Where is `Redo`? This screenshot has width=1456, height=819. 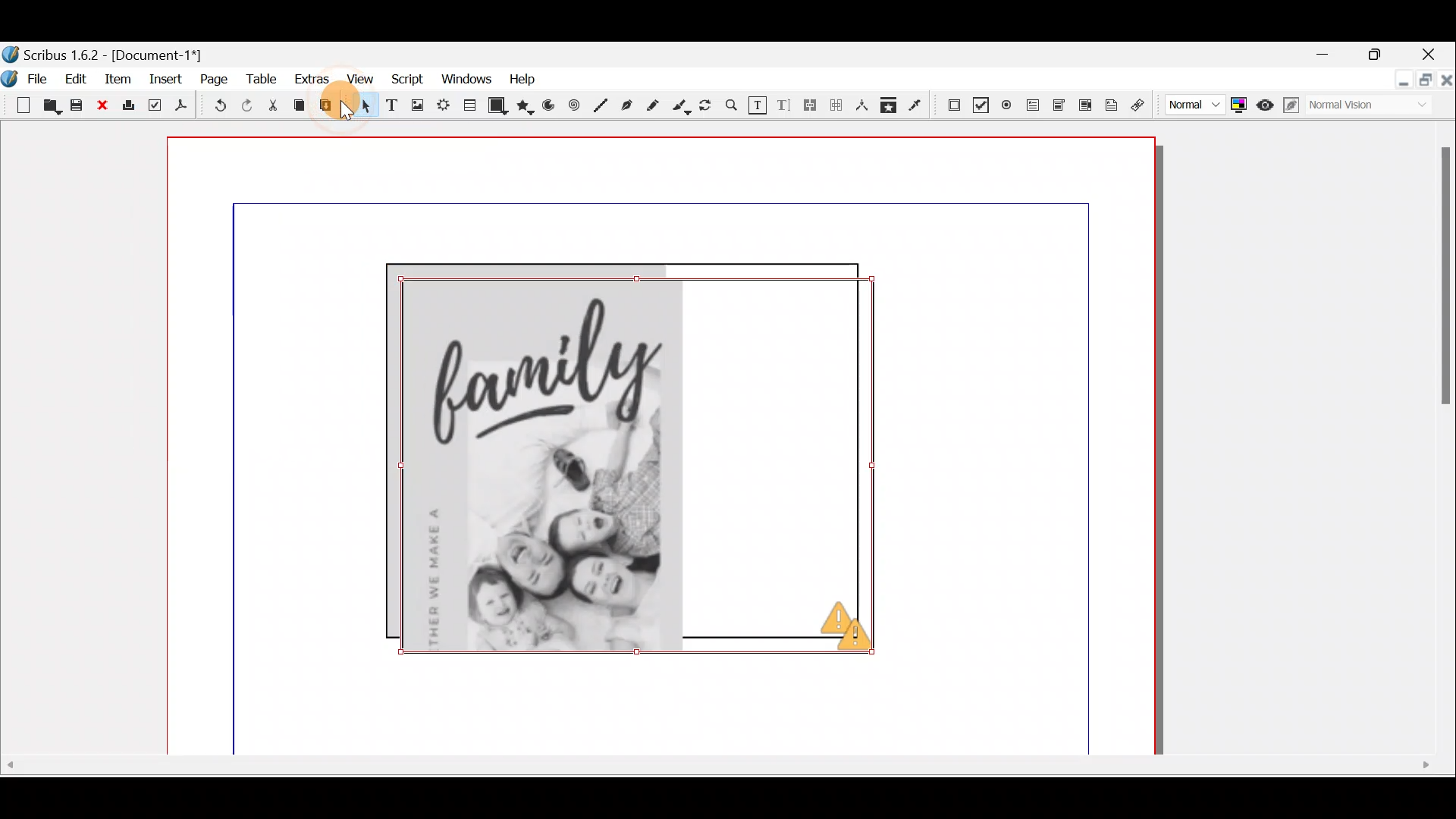
Redo is located at coordinates (254, 106).